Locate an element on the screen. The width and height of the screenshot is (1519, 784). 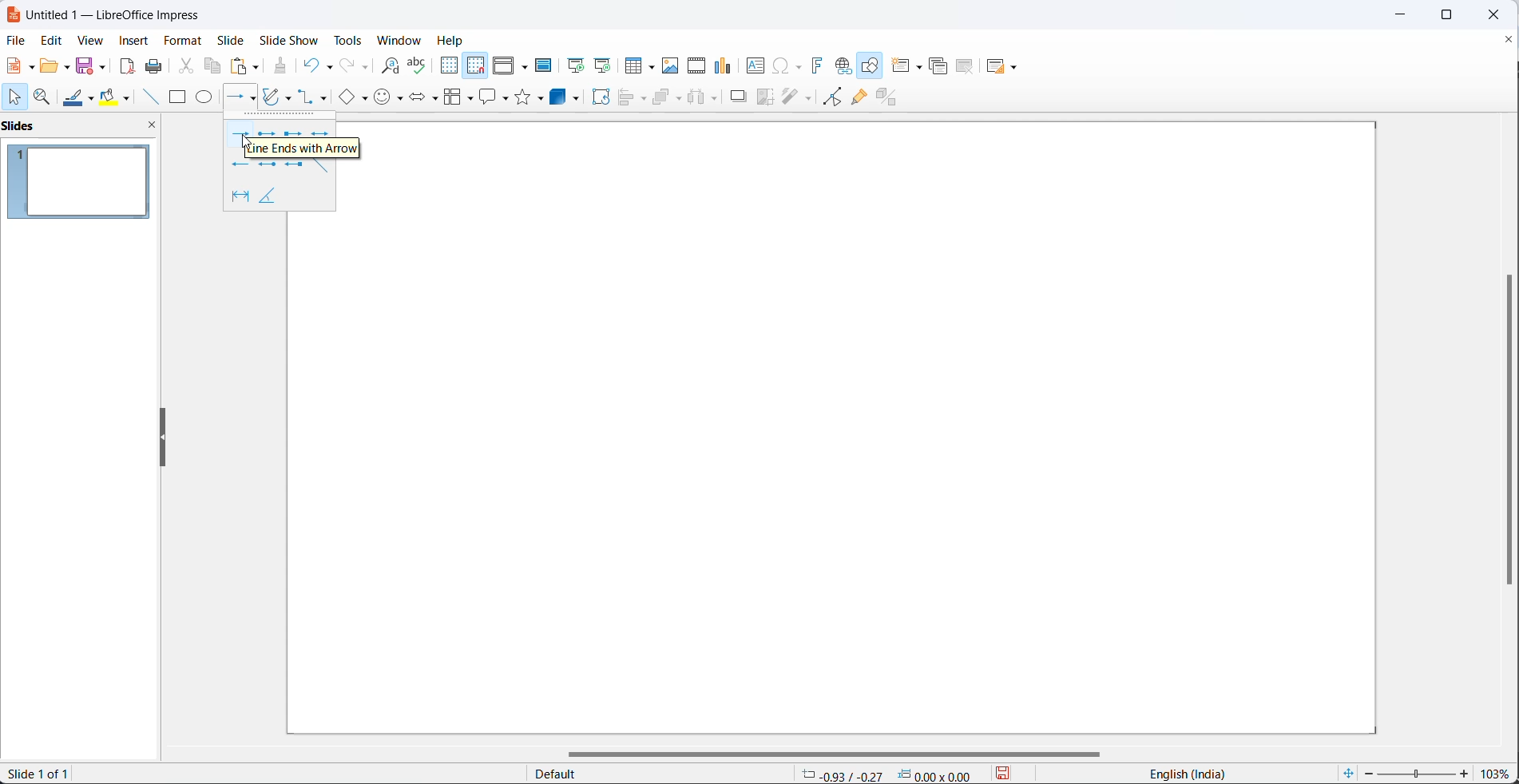
arrow pointing left with circular tail is located at coordinates (267, 166).